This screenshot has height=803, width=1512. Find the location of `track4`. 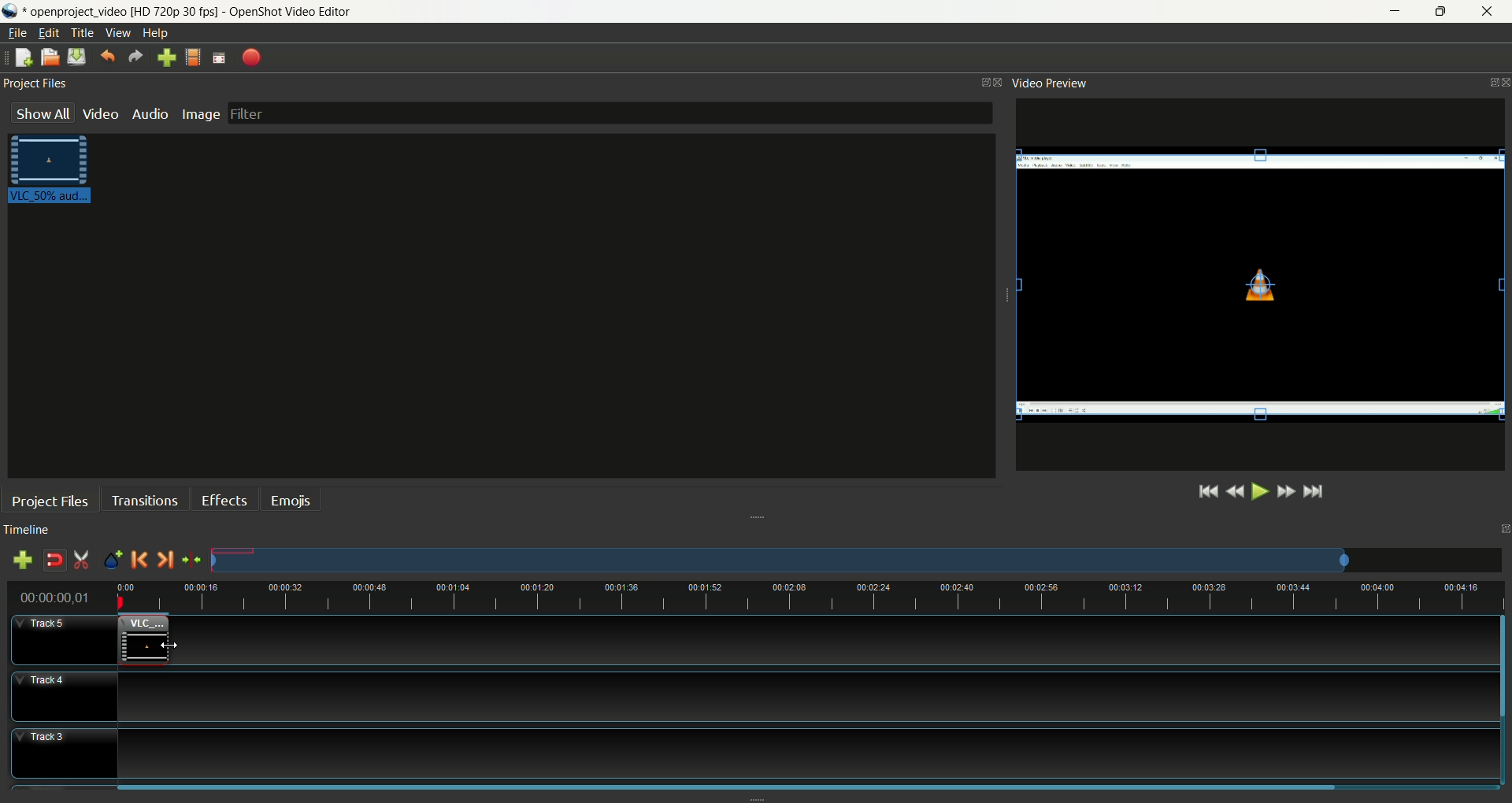

track4 is located at coordinates (67, 698).